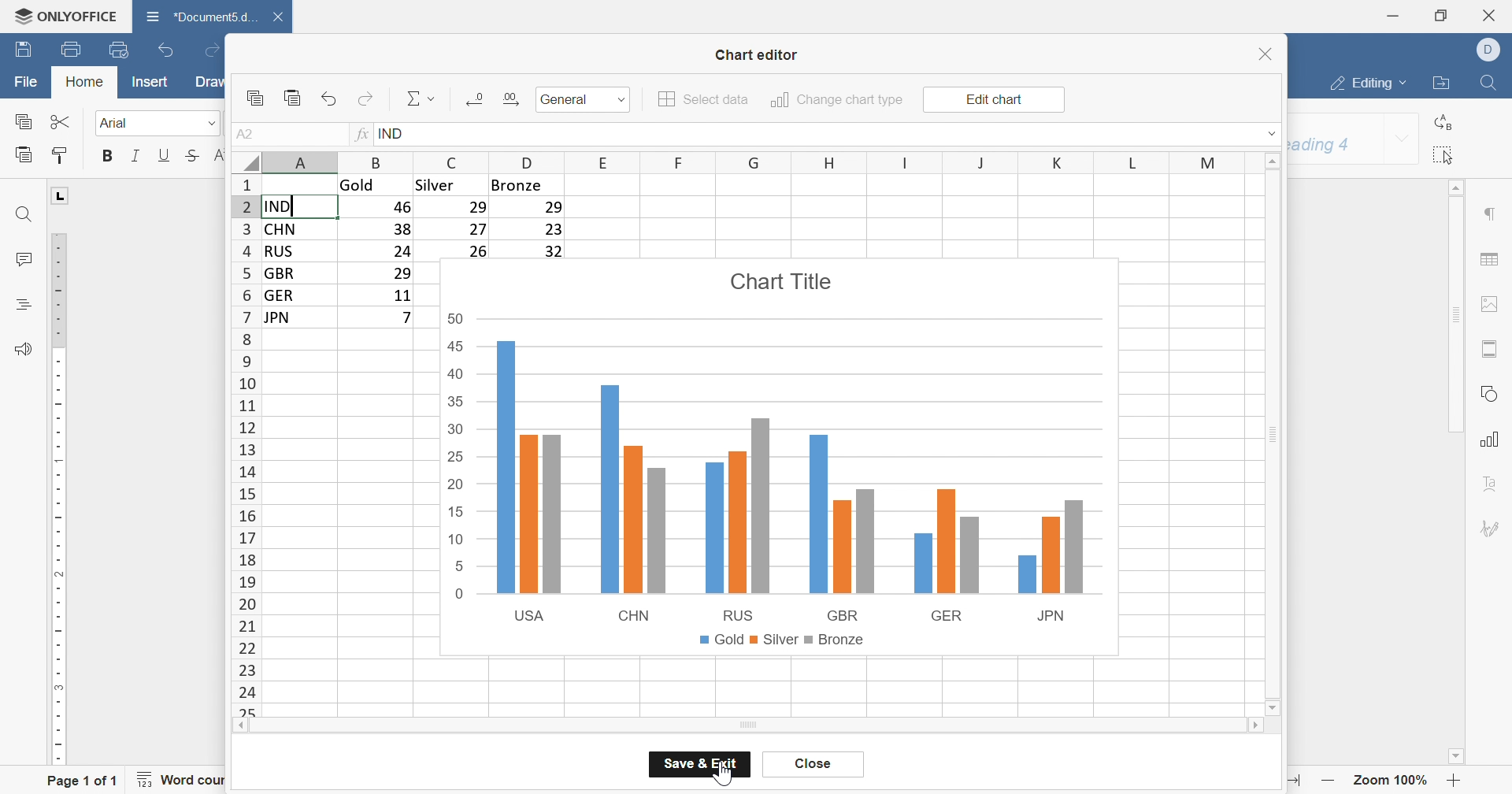  I want to click on word count, so click(188, 780).